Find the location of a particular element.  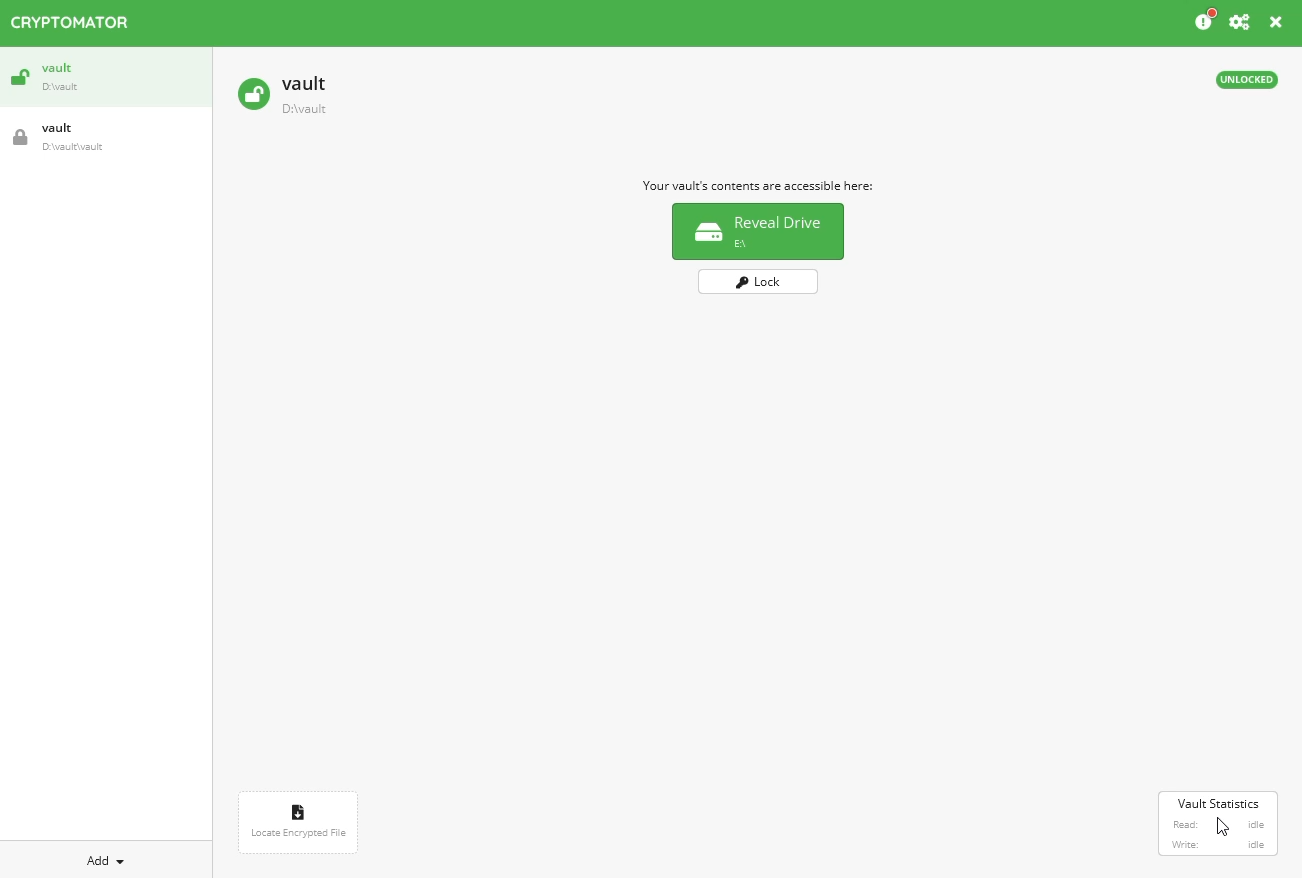

configure is located at coordinates (1241, 22).